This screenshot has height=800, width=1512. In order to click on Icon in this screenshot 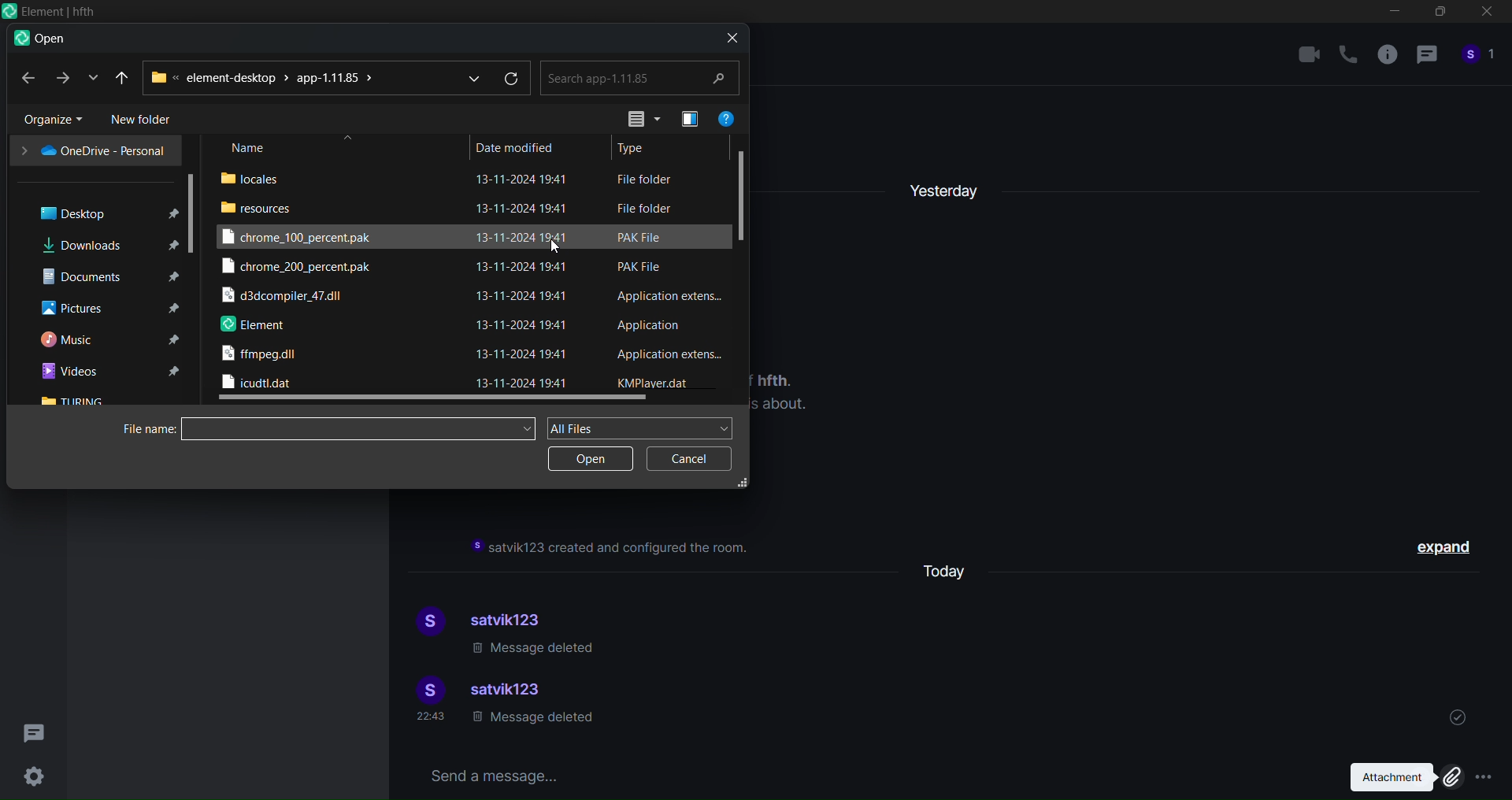, I will do `click(49, 12)`.